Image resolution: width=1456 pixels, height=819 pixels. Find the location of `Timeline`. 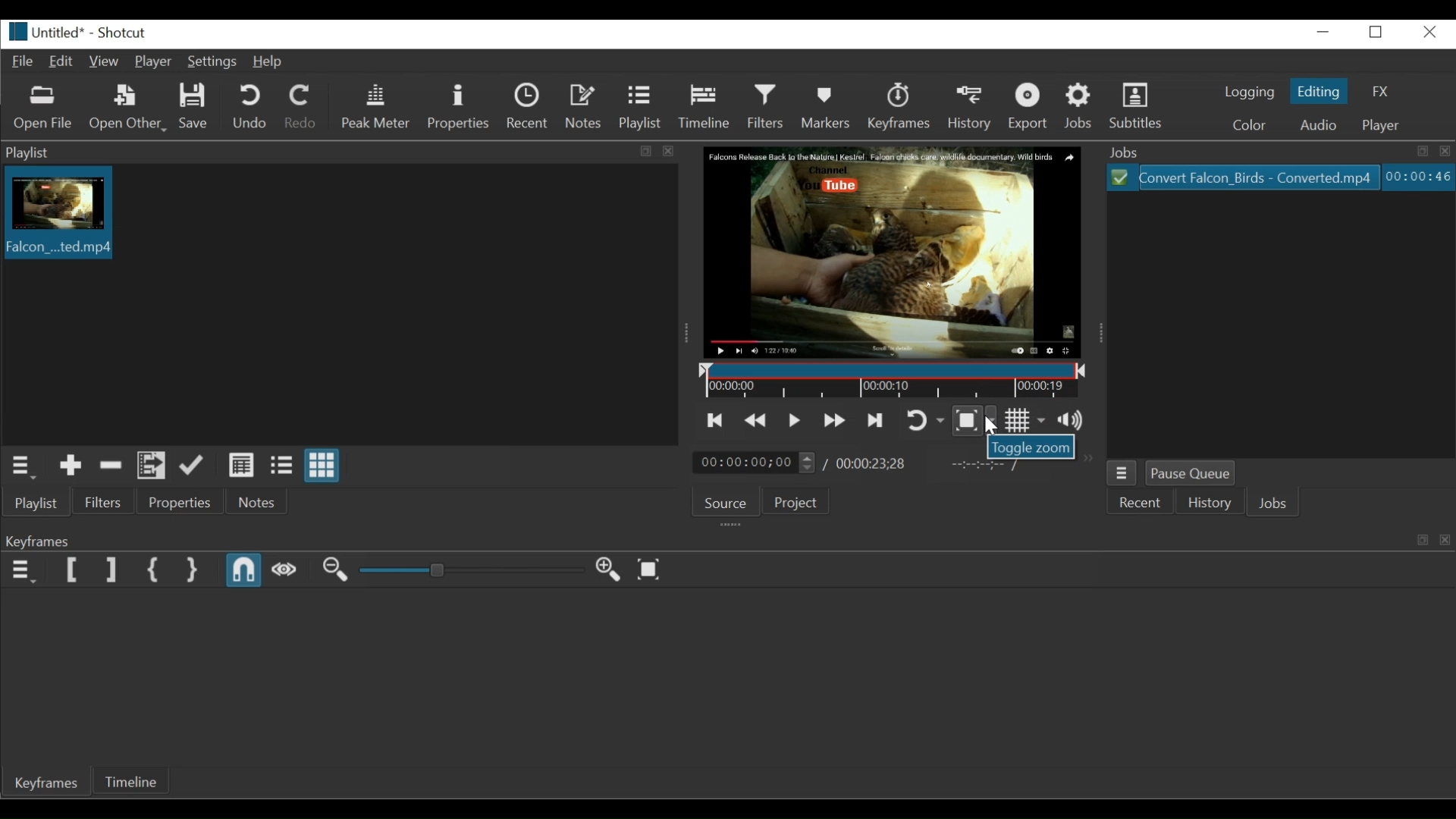

Timeline is located at coordinates (708, 108).